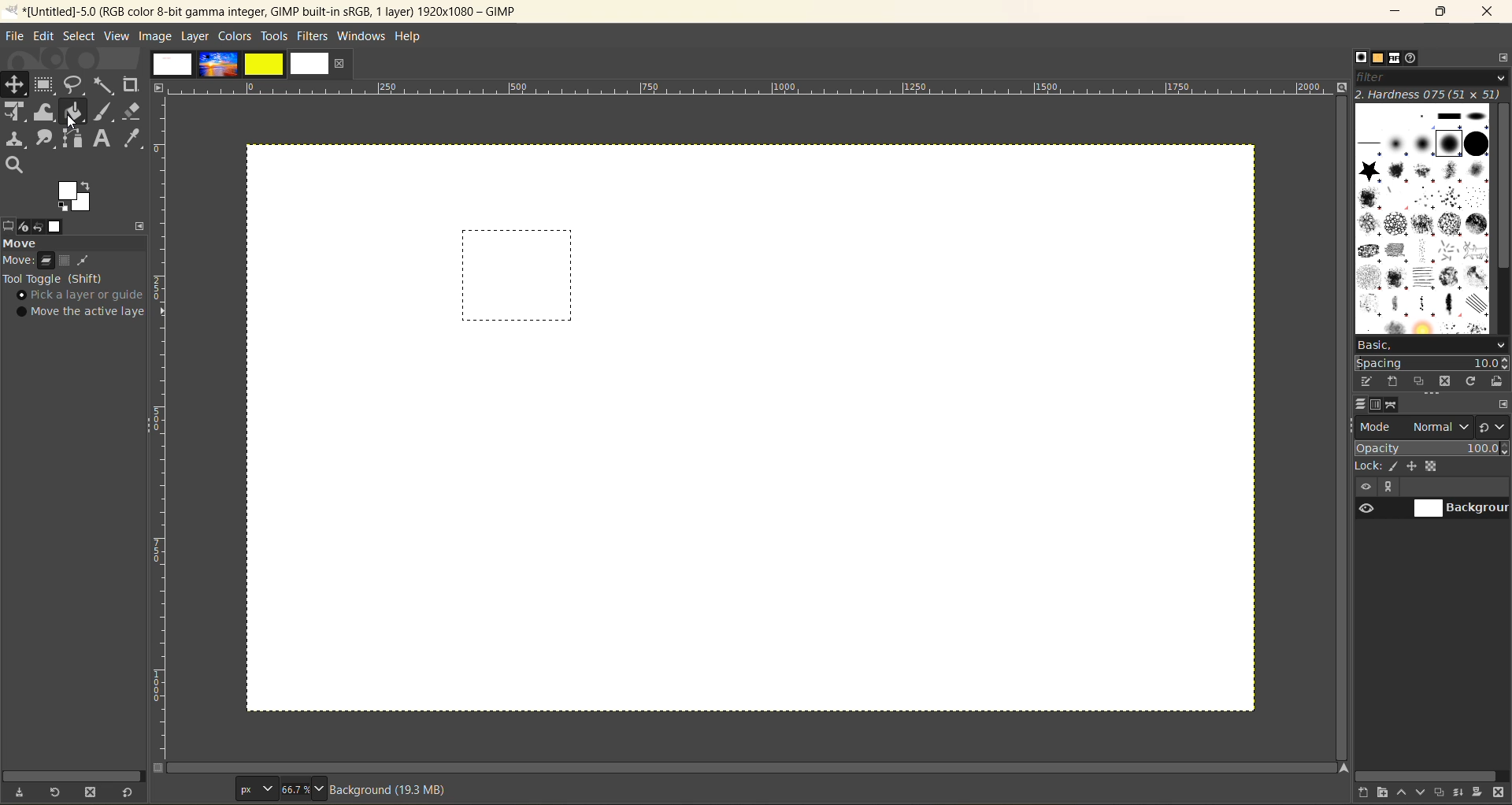 This screenshot has height=805, width=1512. What do you see at coordinates (1378, 60) in the screenshot?
I see `patterns` at bounding box center [1378, 60].